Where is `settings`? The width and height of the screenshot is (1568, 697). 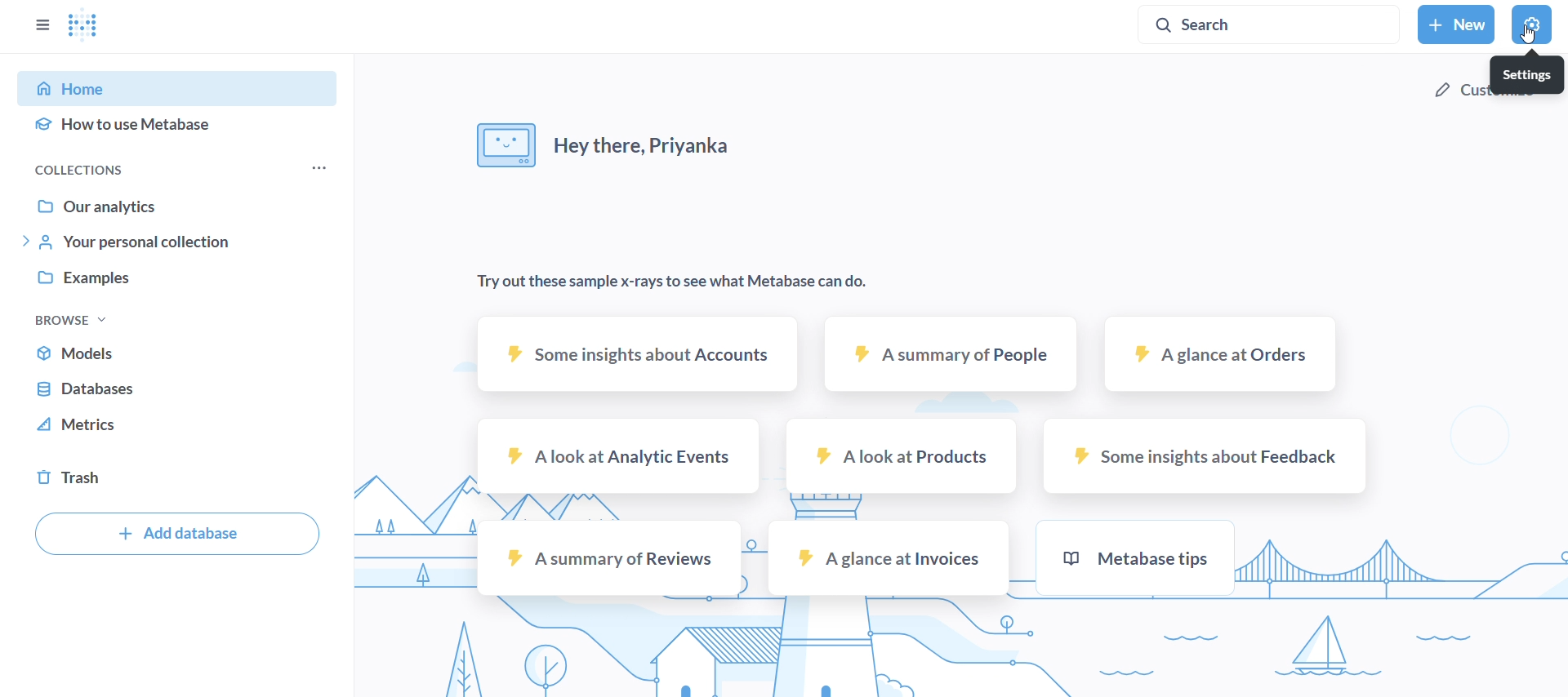
settings is located at coordinates (1534, 26).